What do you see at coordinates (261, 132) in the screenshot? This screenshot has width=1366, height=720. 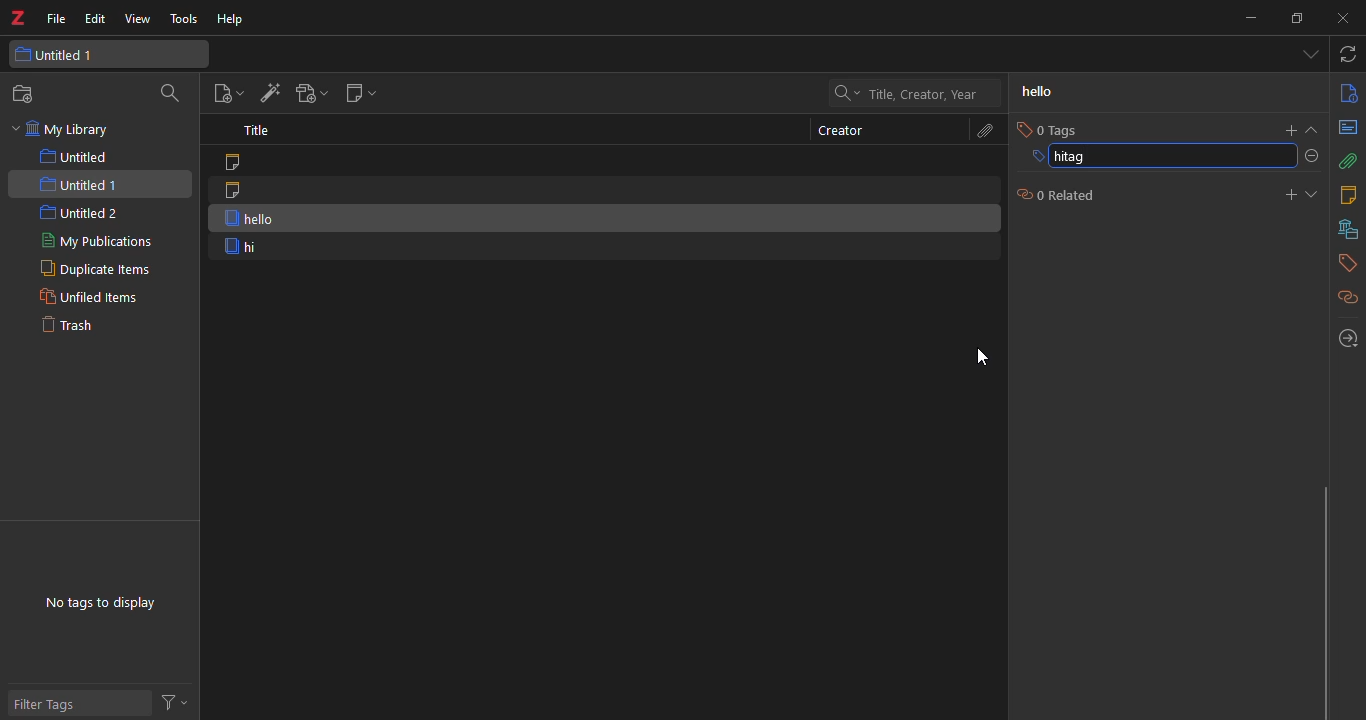 I see `title` at bounding box center [261, 132].